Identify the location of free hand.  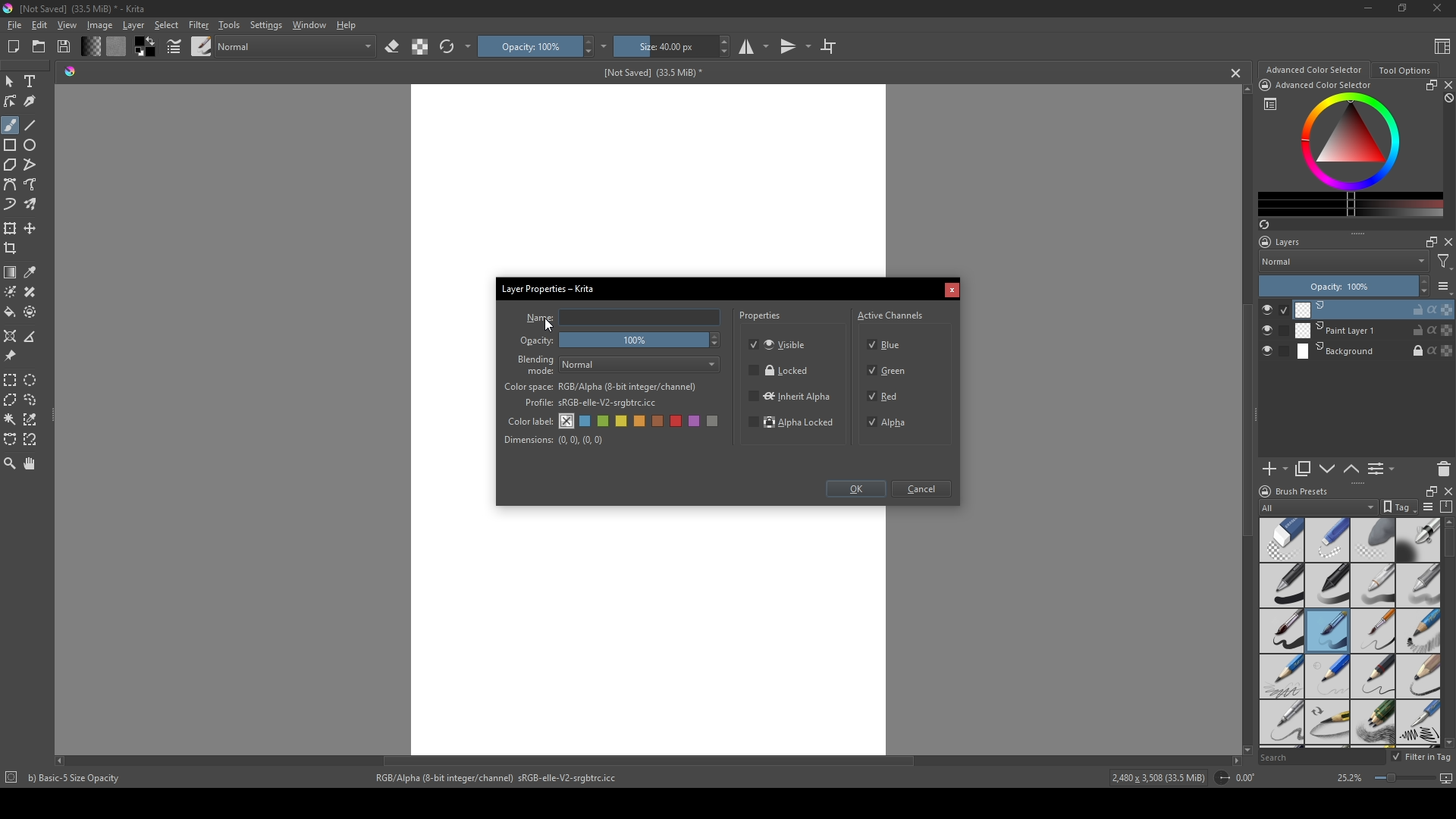
(32, 185).